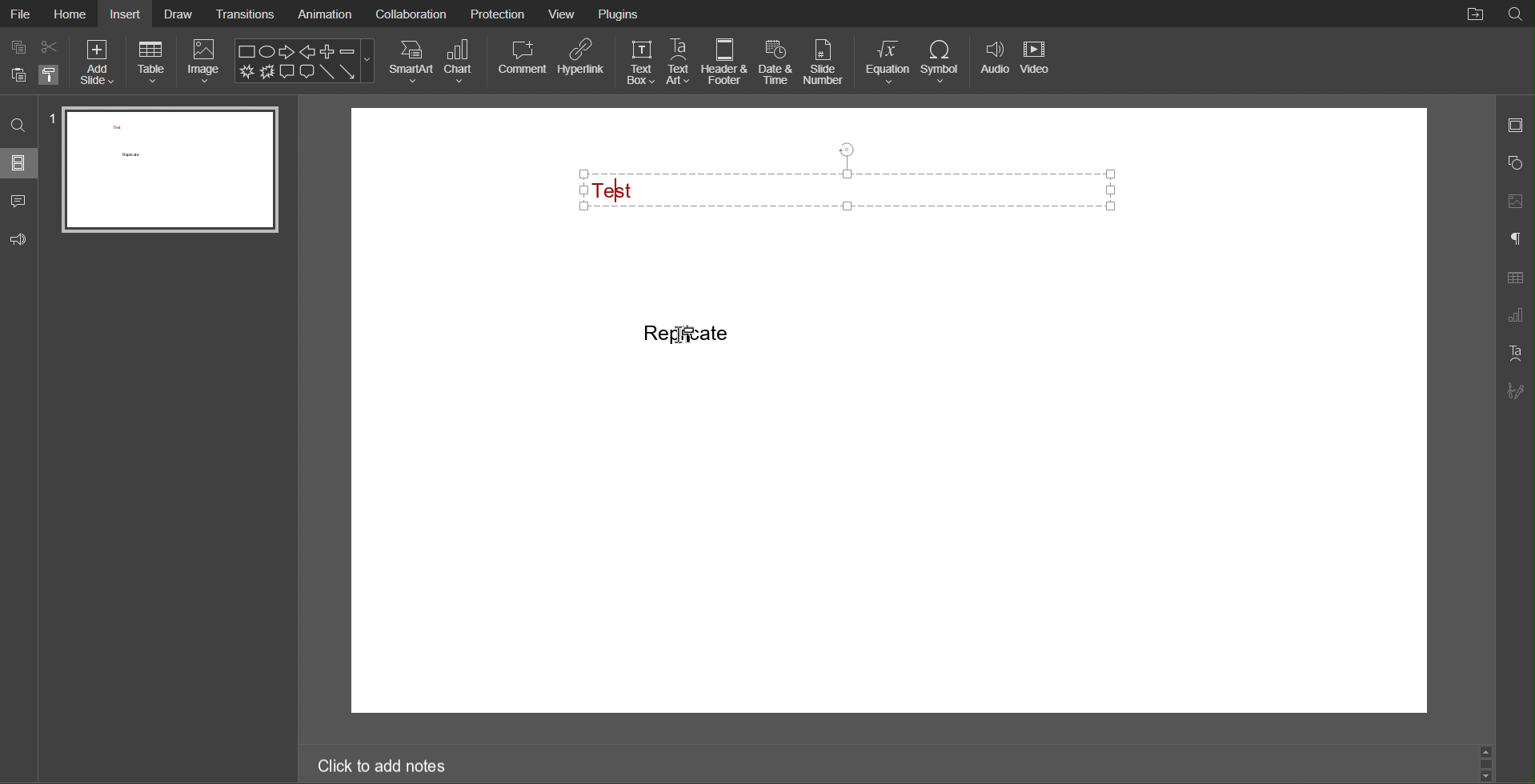 The width and height of the screenshot is (1535, 784). What do you see at coordinates (152, 62) in the screenshot?
I see `Table` at bounding box center [152, 62].